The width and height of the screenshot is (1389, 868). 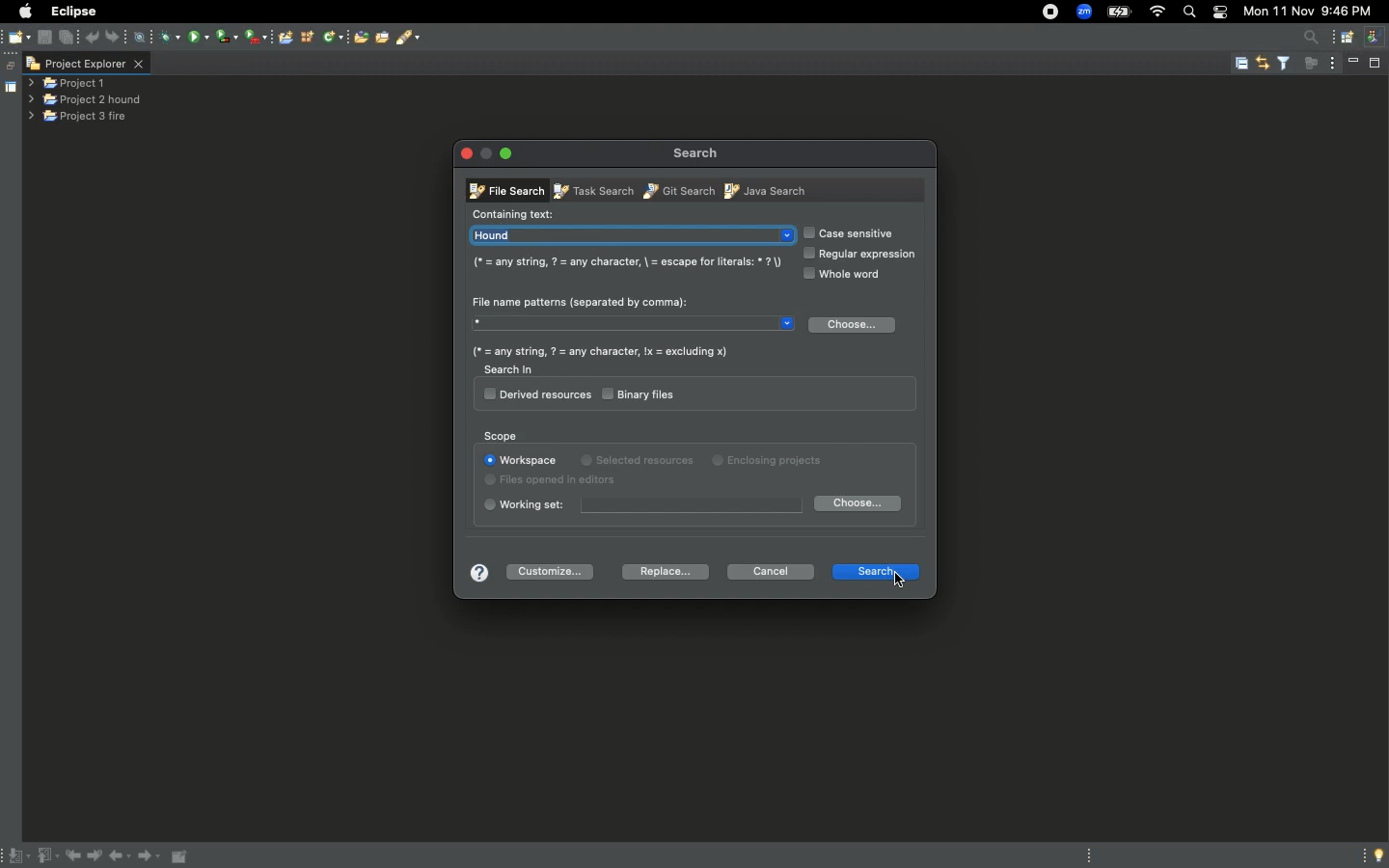 I want to click on collapse all, so click(x=1236, y=63).